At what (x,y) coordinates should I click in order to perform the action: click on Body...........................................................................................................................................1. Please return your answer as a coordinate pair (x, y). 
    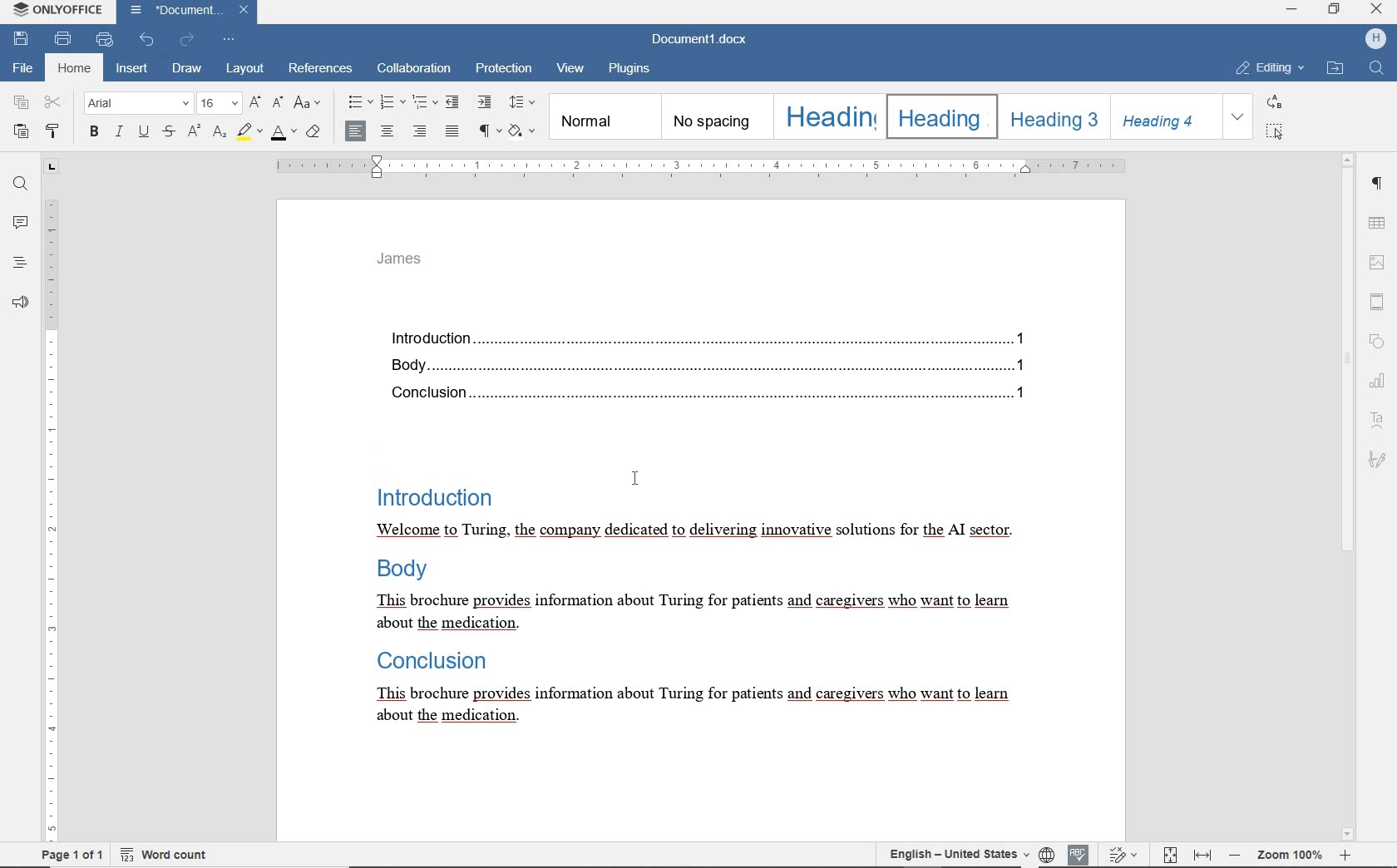
    Looking at the image, I should click on (714, 367).